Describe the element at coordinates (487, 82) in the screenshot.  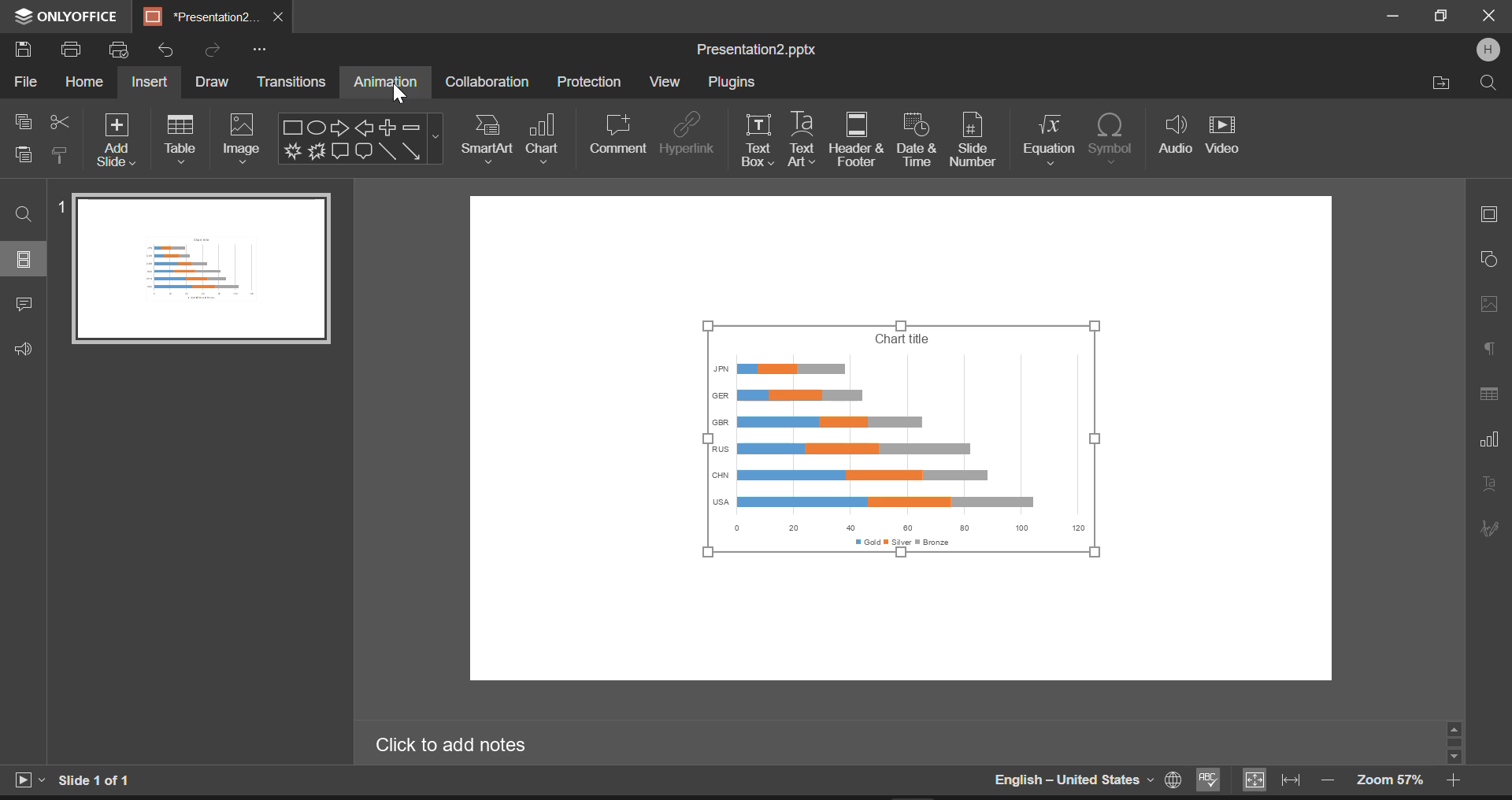
I see `Collaboration` at that location.